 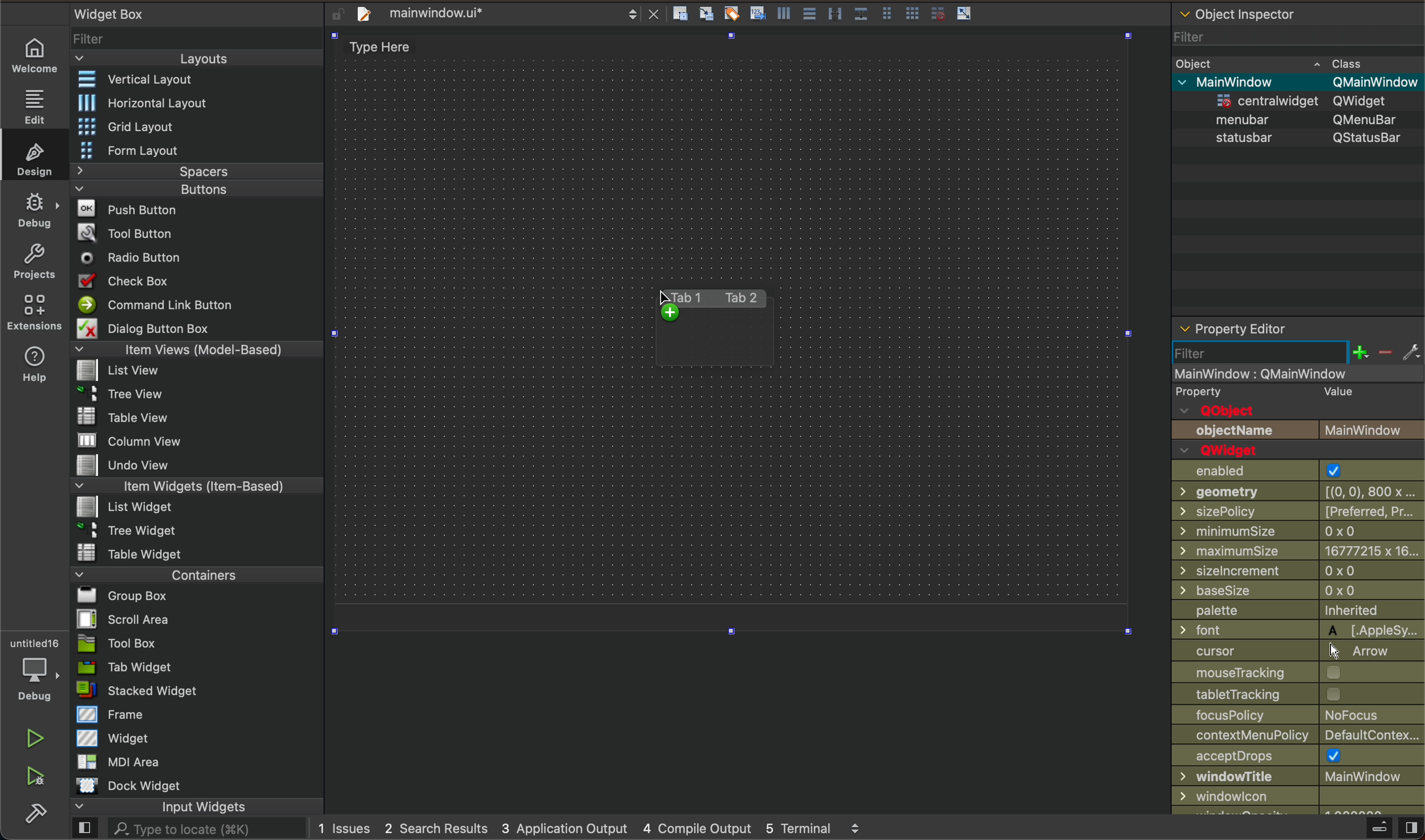 What do you see at coordinates (120, 126) in the screenshot?
I see ` Grid Layout` at bounding box center [120, 126].